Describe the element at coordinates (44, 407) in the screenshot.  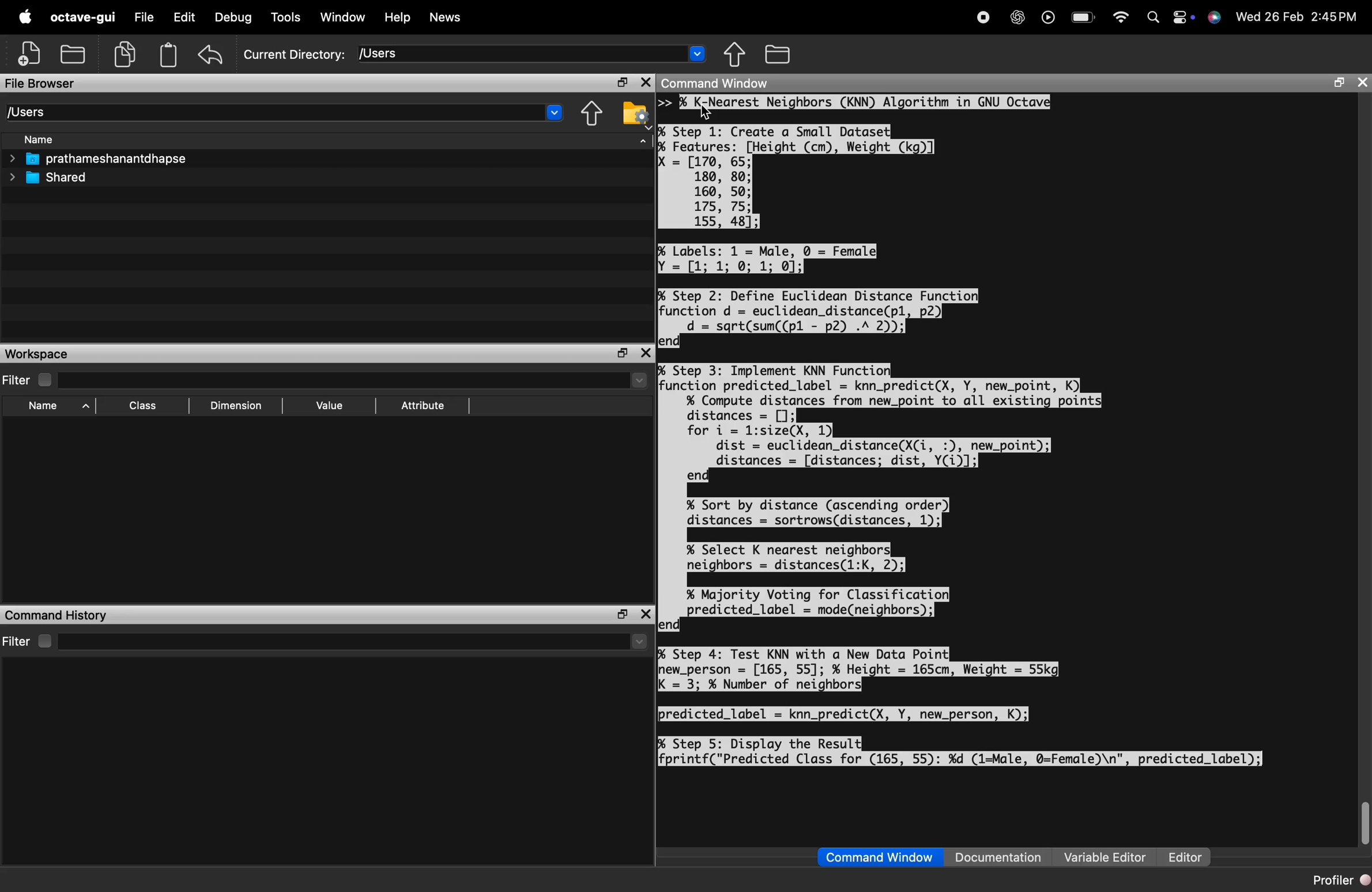
I see `Name` at that location.